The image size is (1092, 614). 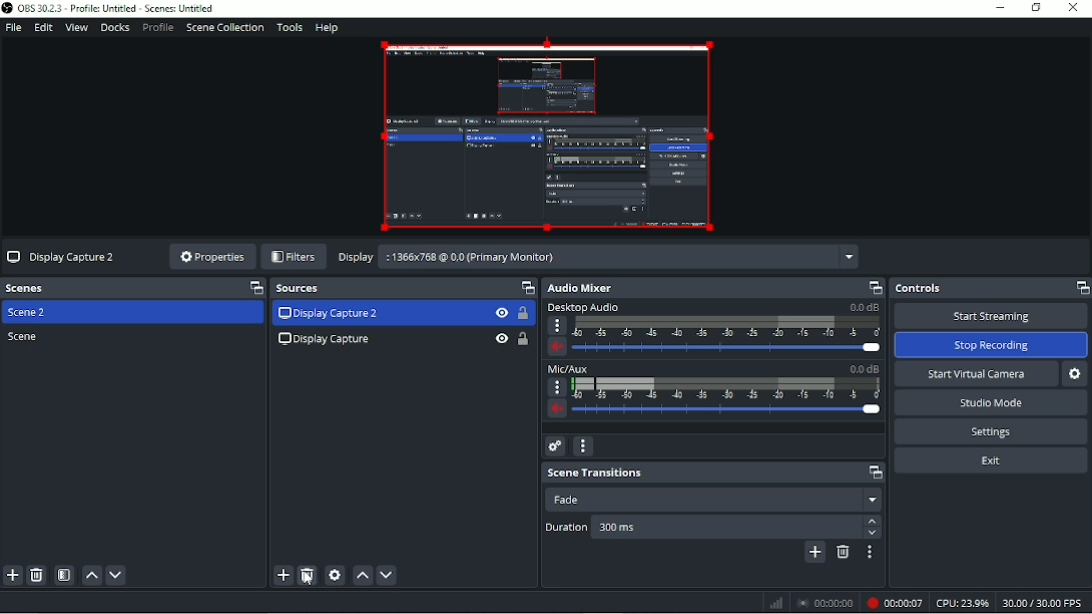 I want to click on Help, so click(x=329, y=29).